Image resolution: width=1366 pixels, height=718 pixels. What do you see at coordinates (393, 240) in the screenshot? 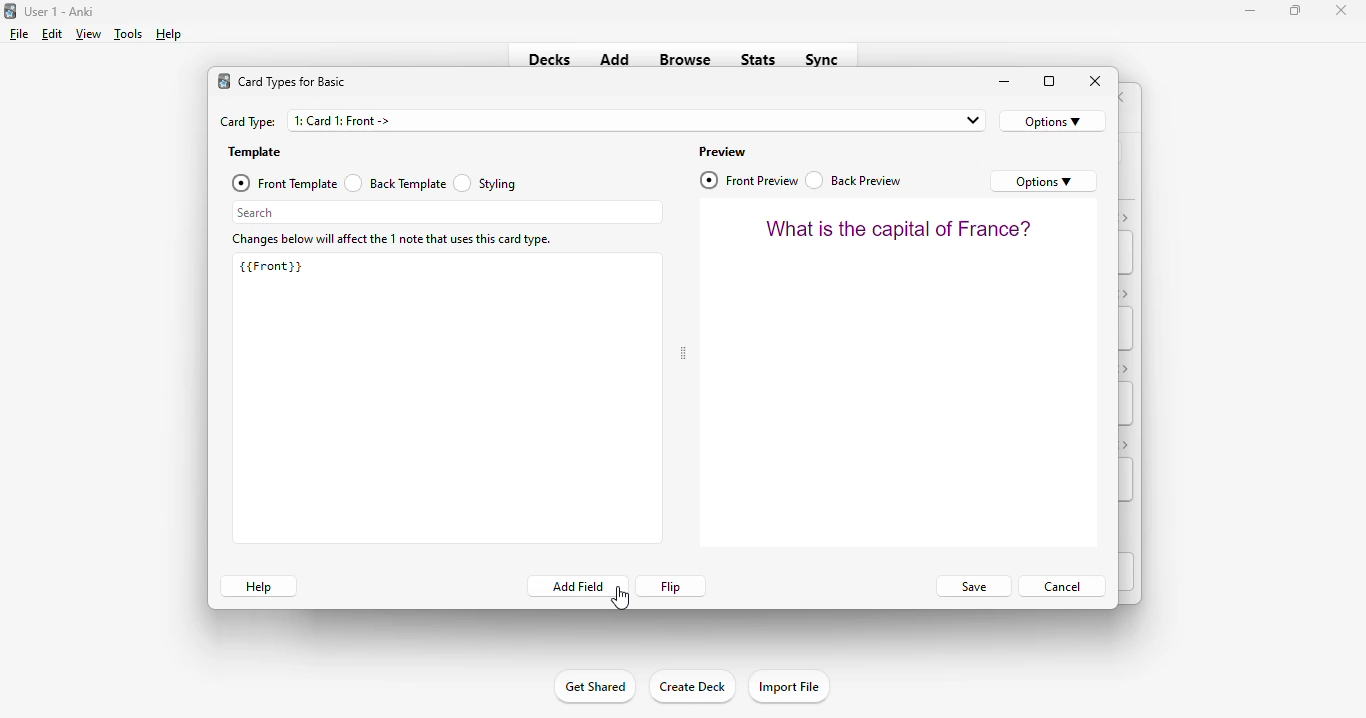
I see `changes below will affect the 1 note that uses this card type` at bounding box center [393, 240].